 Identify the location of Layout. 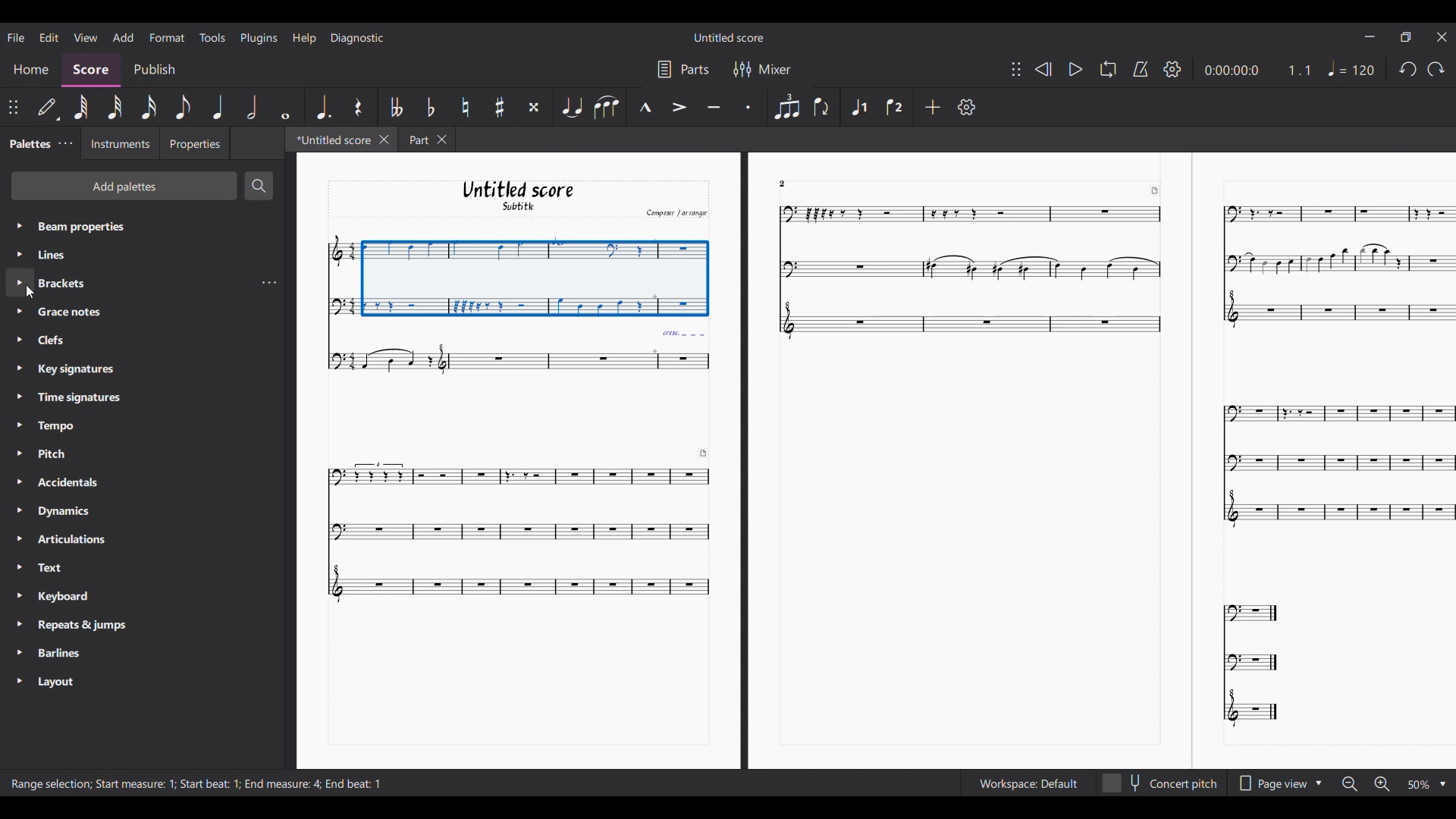
(61, 682).